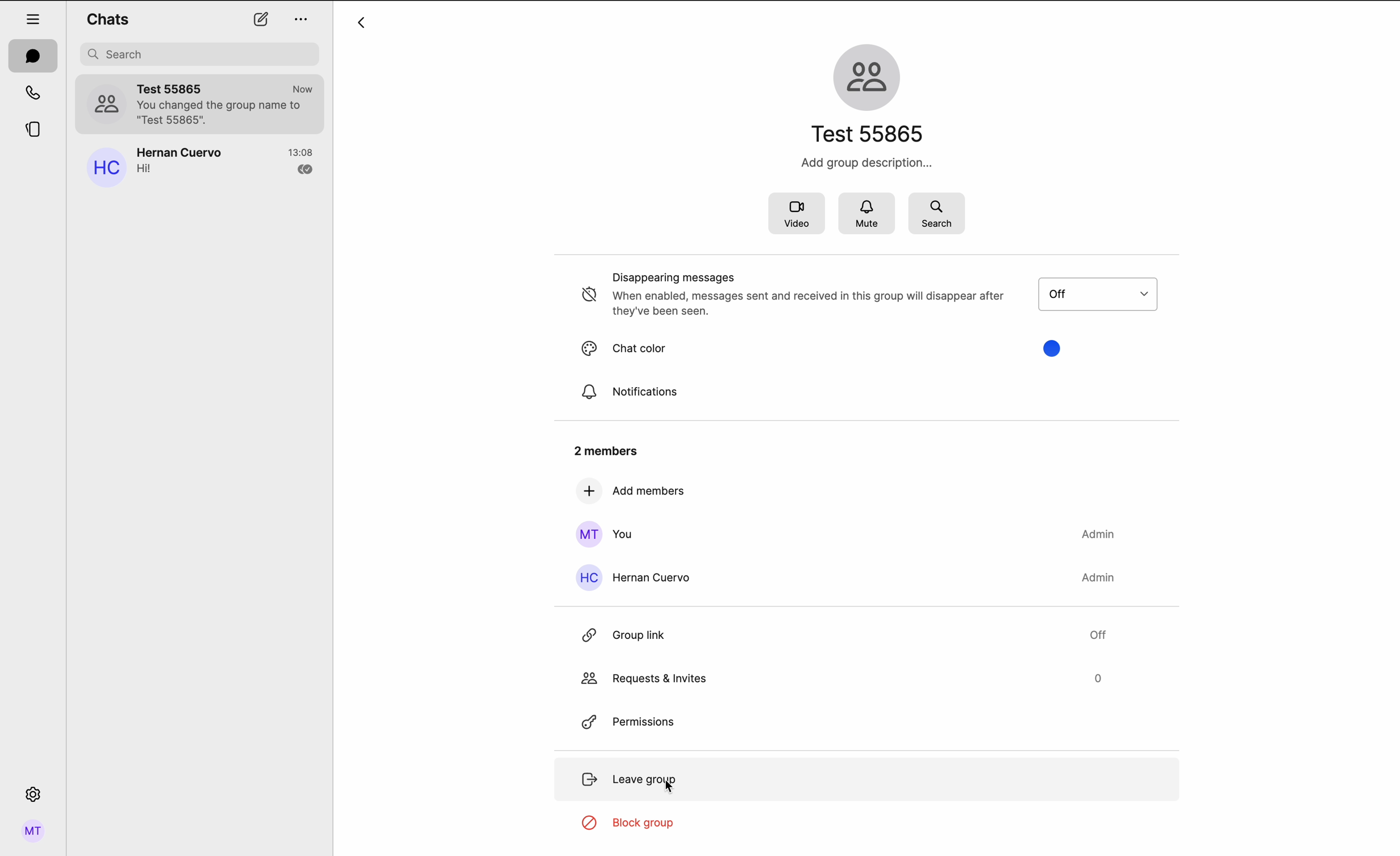 Image resolution: width=1400 pixels, height=856 pixels. Describe the element at coordinates (32, 55) in the screenshot. I see `chats` at that location.